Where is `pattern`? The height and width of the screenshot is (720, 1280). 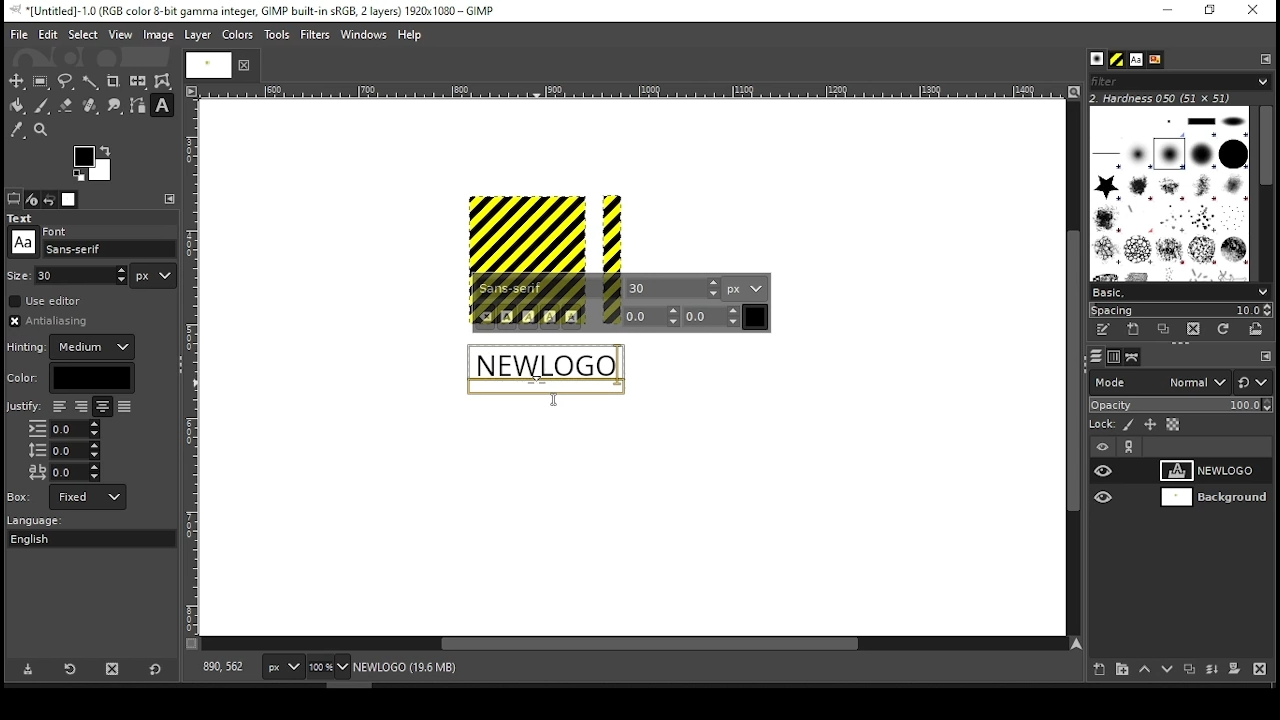 pattern is located at coordinates (1117, 60).